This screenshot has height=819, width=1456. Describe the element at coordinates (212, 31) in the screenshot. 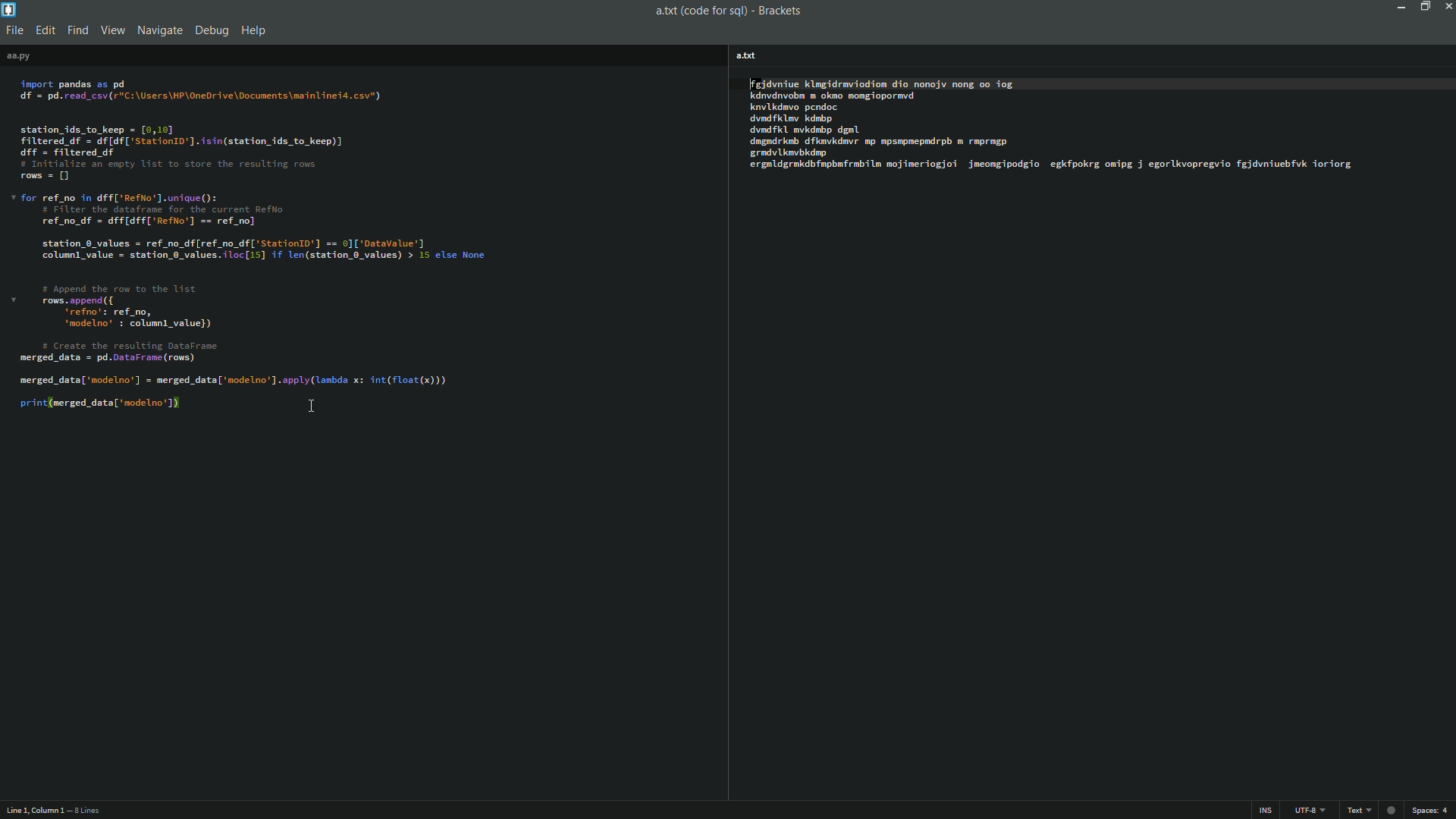

I see `debug menu` at that location.